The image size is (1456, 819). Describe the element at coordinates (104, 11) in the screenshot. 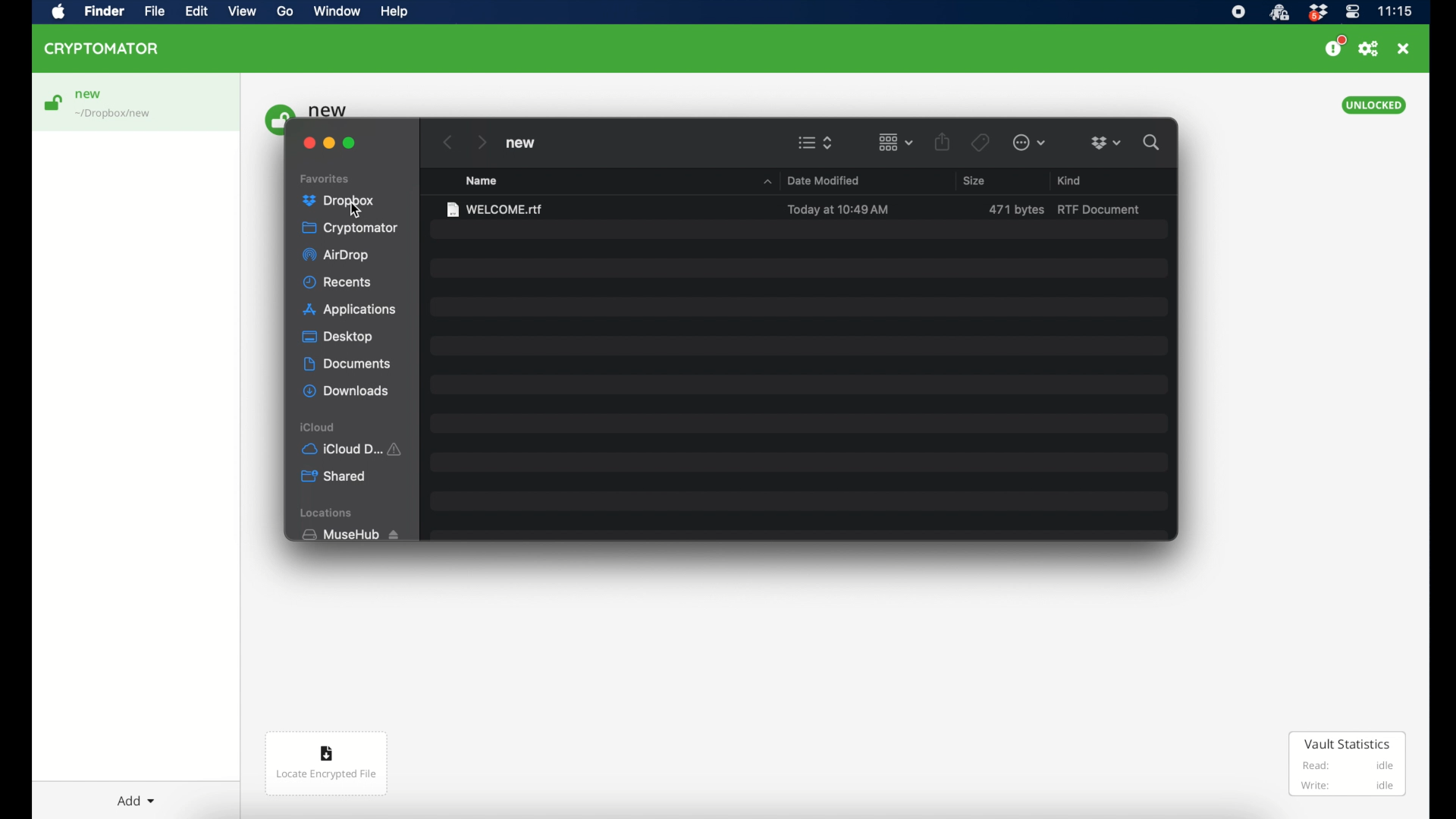

I see `finder` at that location.